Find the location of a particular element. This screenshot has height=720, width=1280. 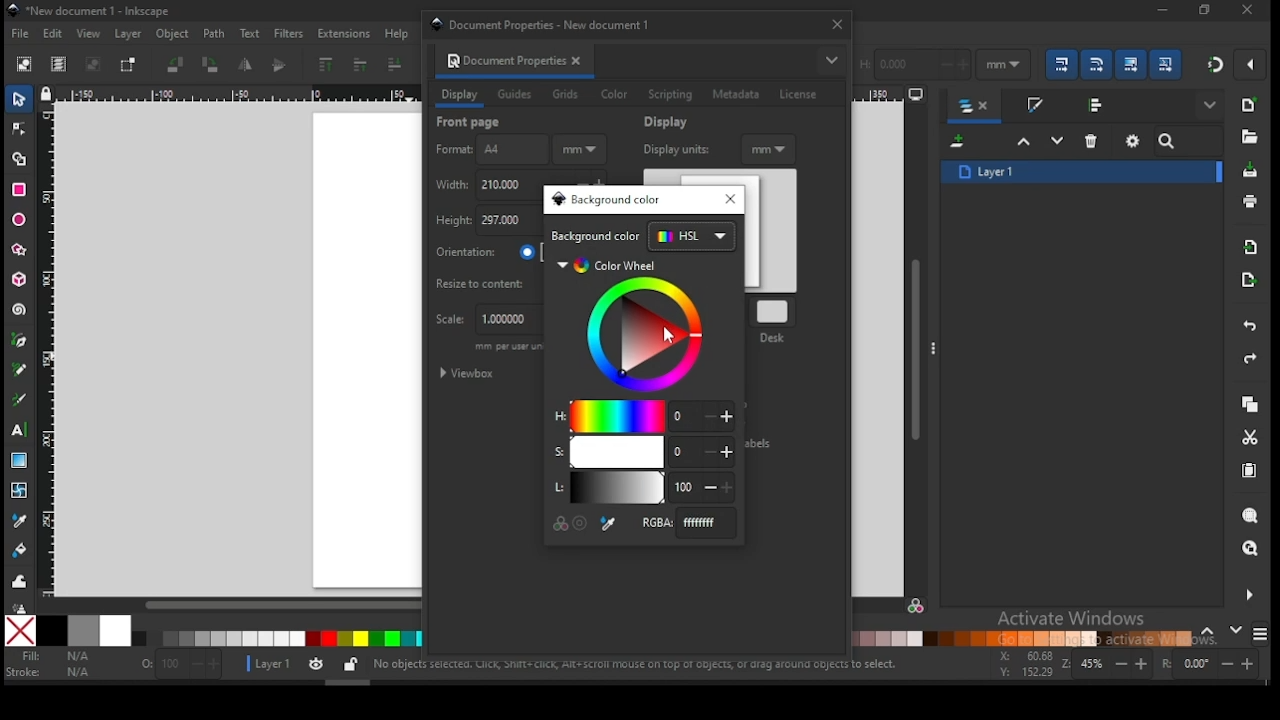

height is located at coordinates (486, 222).